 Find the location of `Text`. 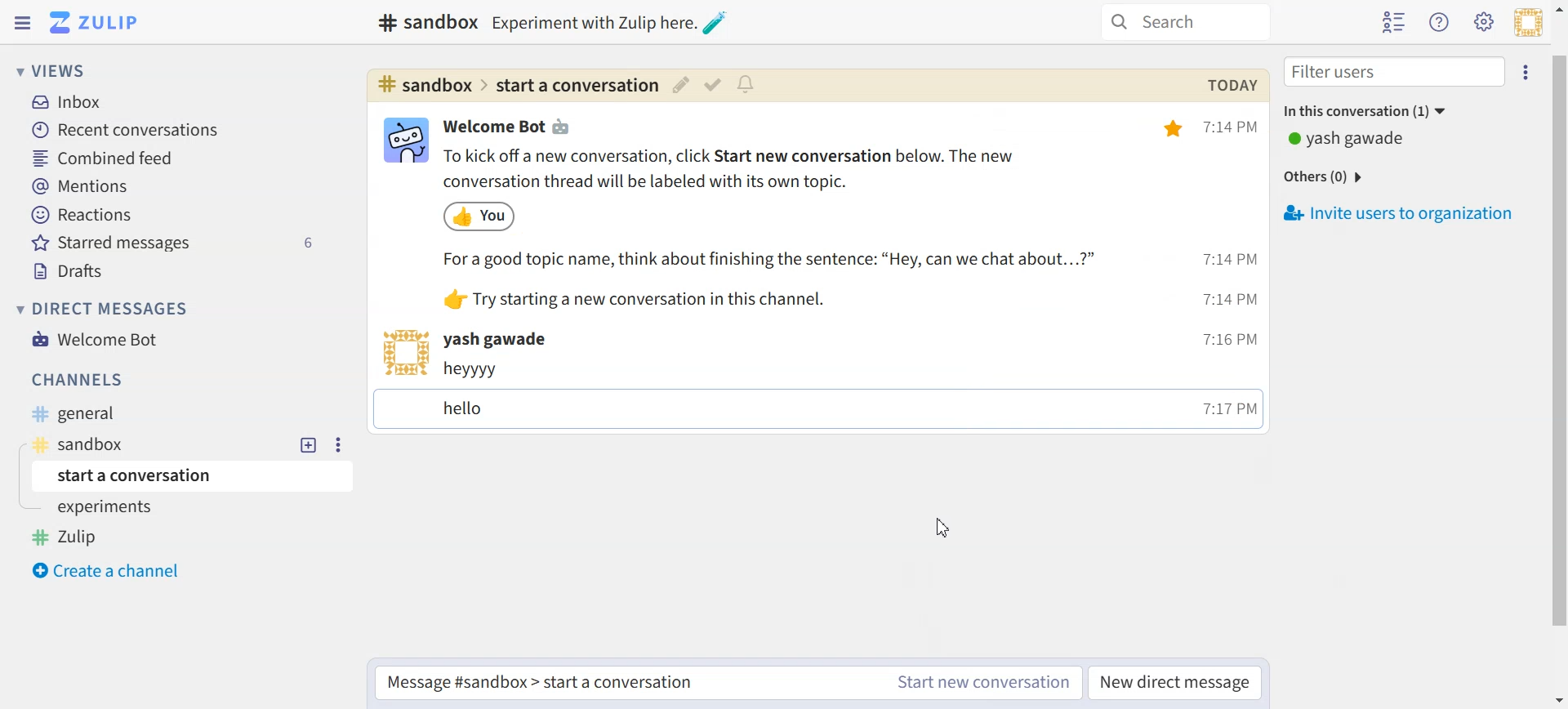

Text is located at coordinates (1231, 85).